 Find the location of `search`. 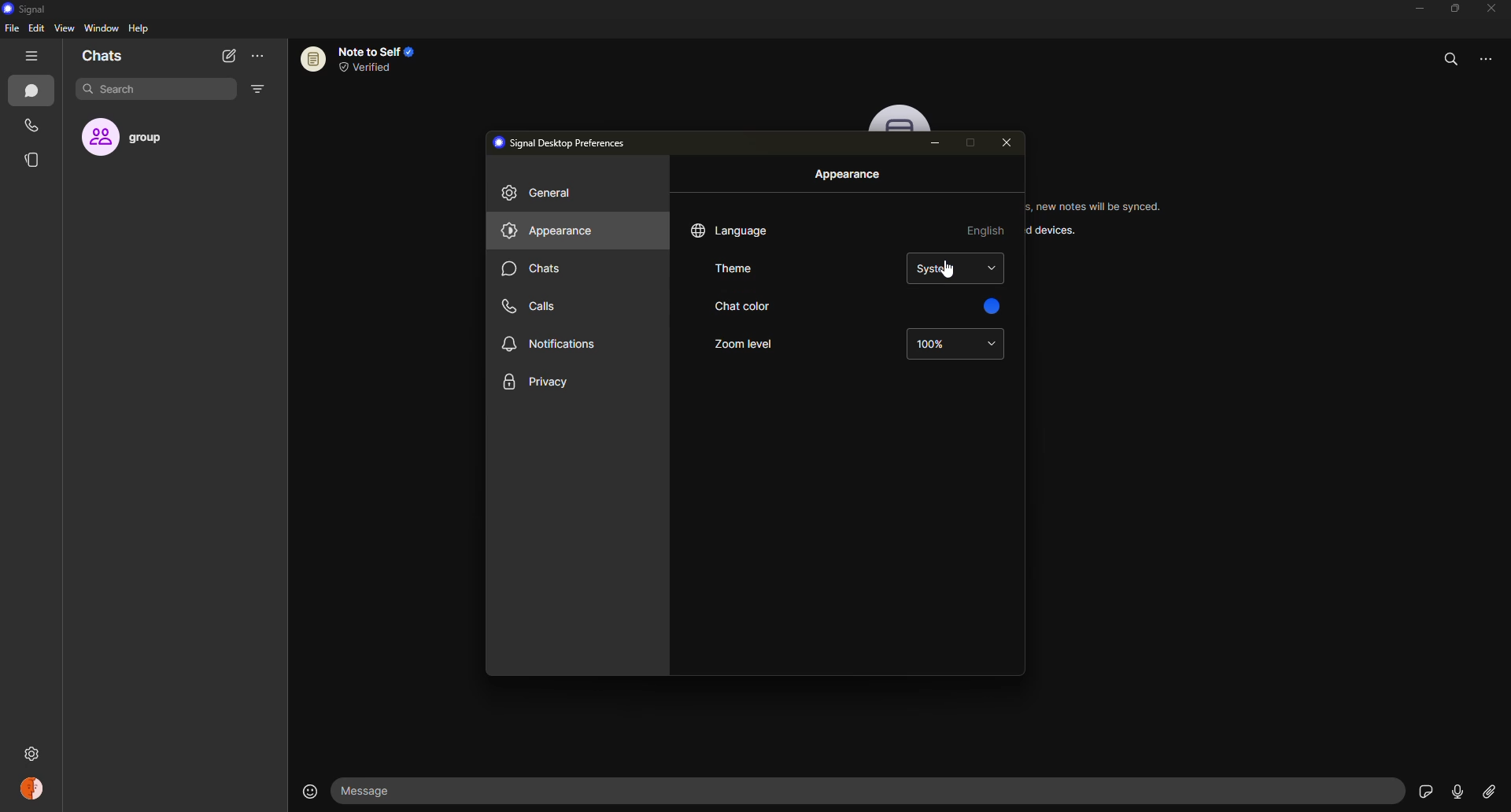

search is located at coordinates (123, 90).